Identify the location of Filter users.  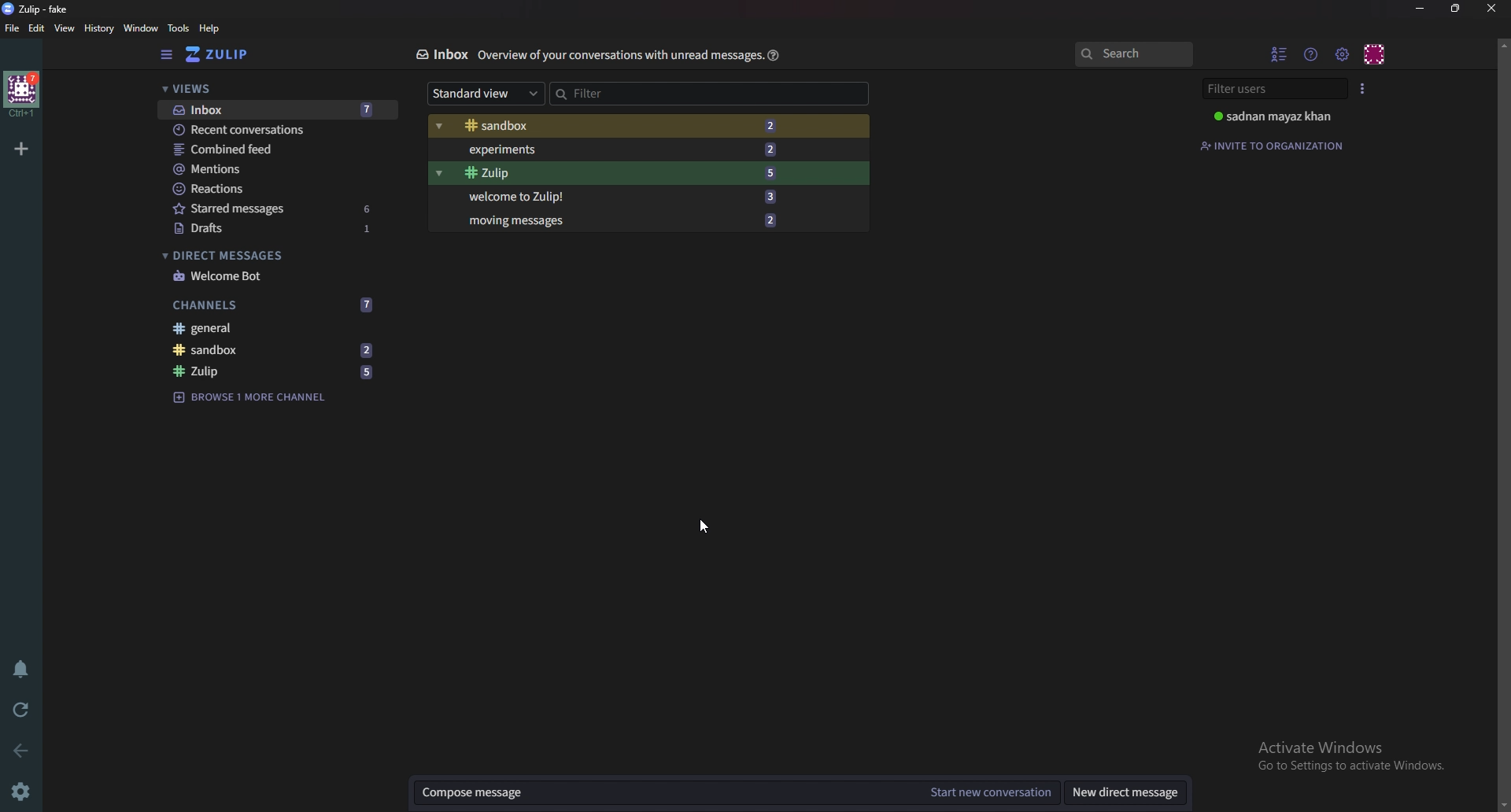
(1272, 90).